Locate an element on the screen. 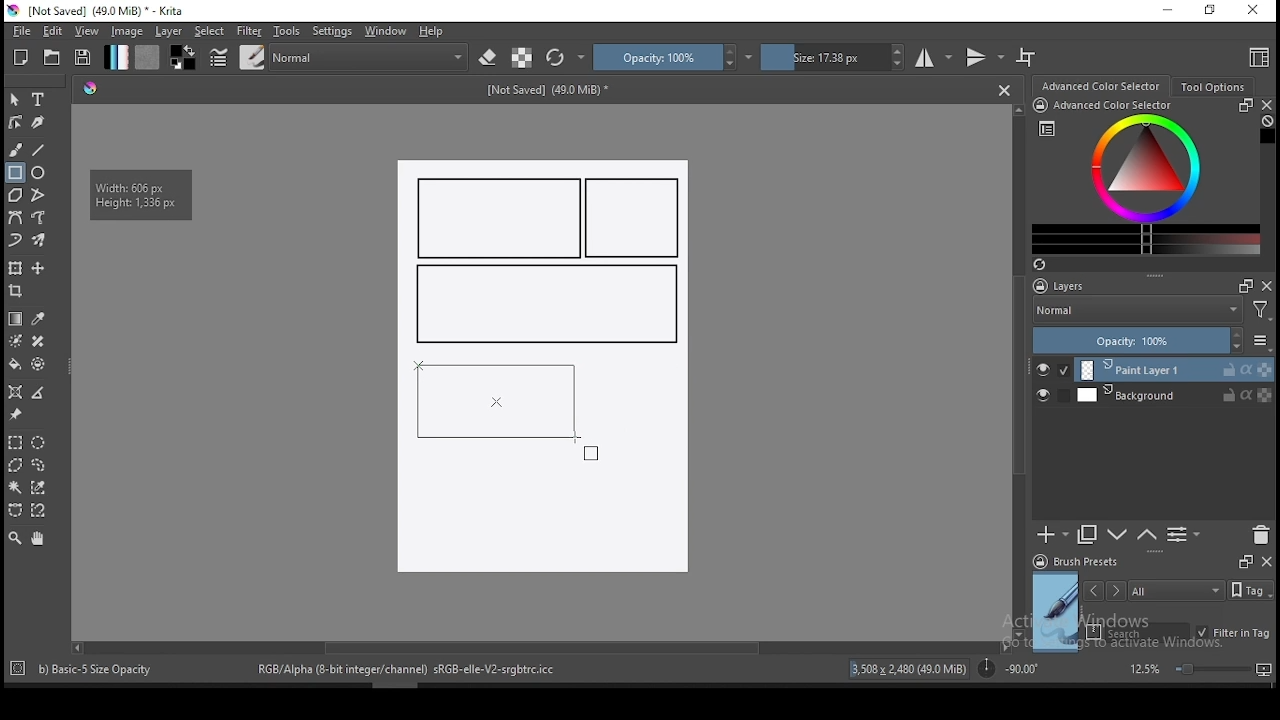 The image size is (1280, 720). layer is located at coordinates (1175, 370).